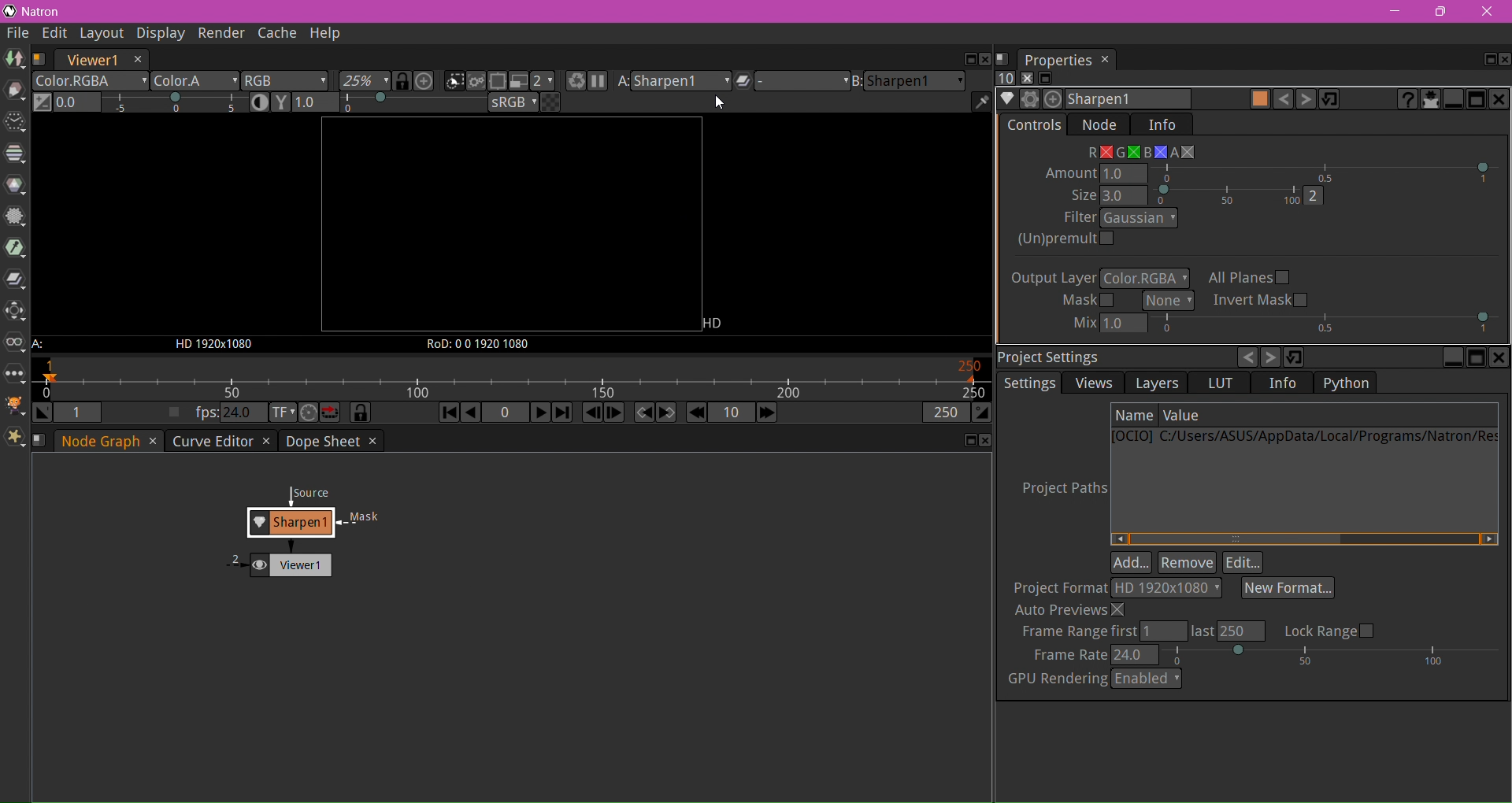 Image resolution: width=1512 pixels, height=803 pixels. I want to click on Il Project Paths, so click(1063, 489).